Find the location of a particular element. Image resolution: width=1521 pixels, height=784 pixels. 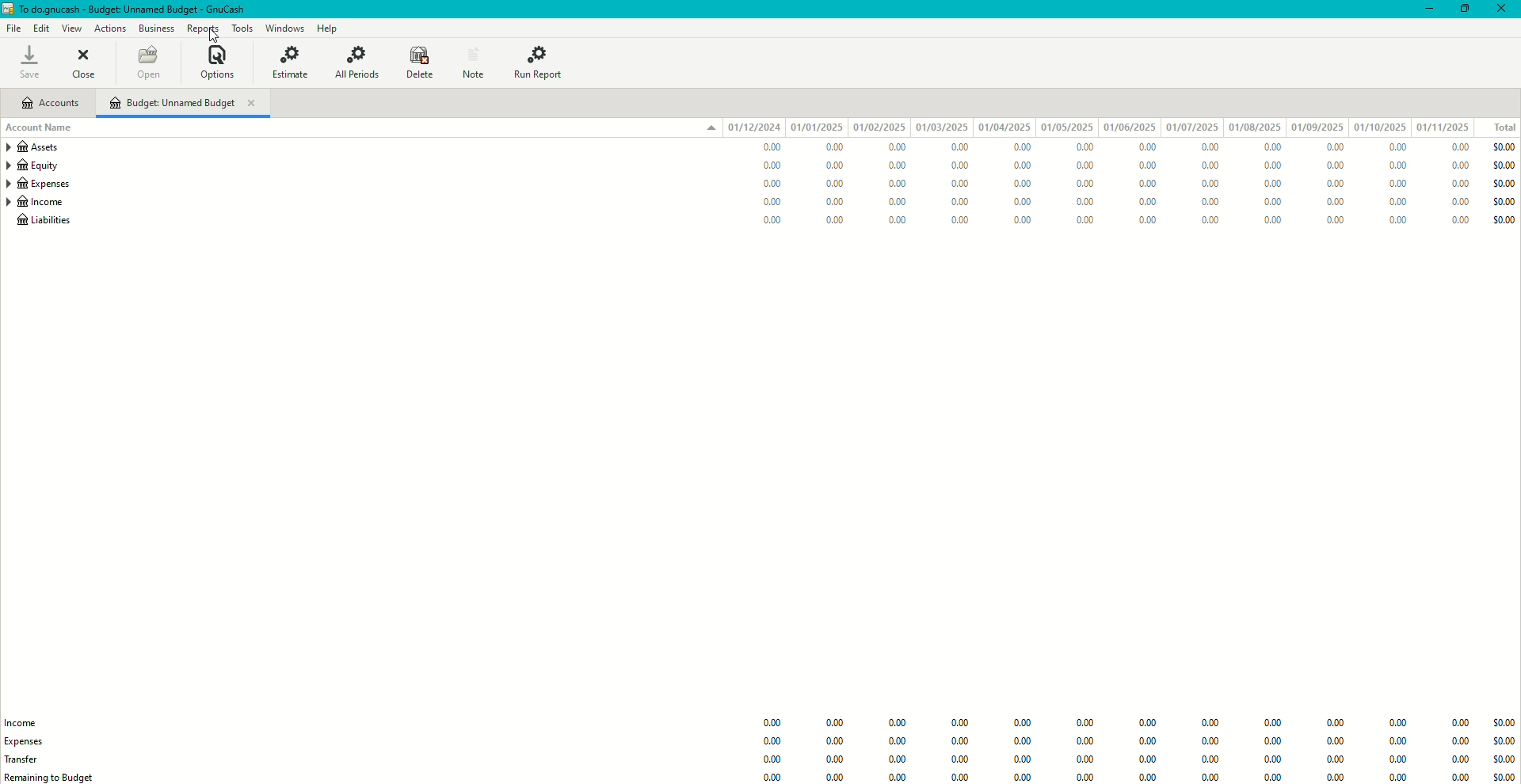

0.00 is located at coordinates (1458, 147).